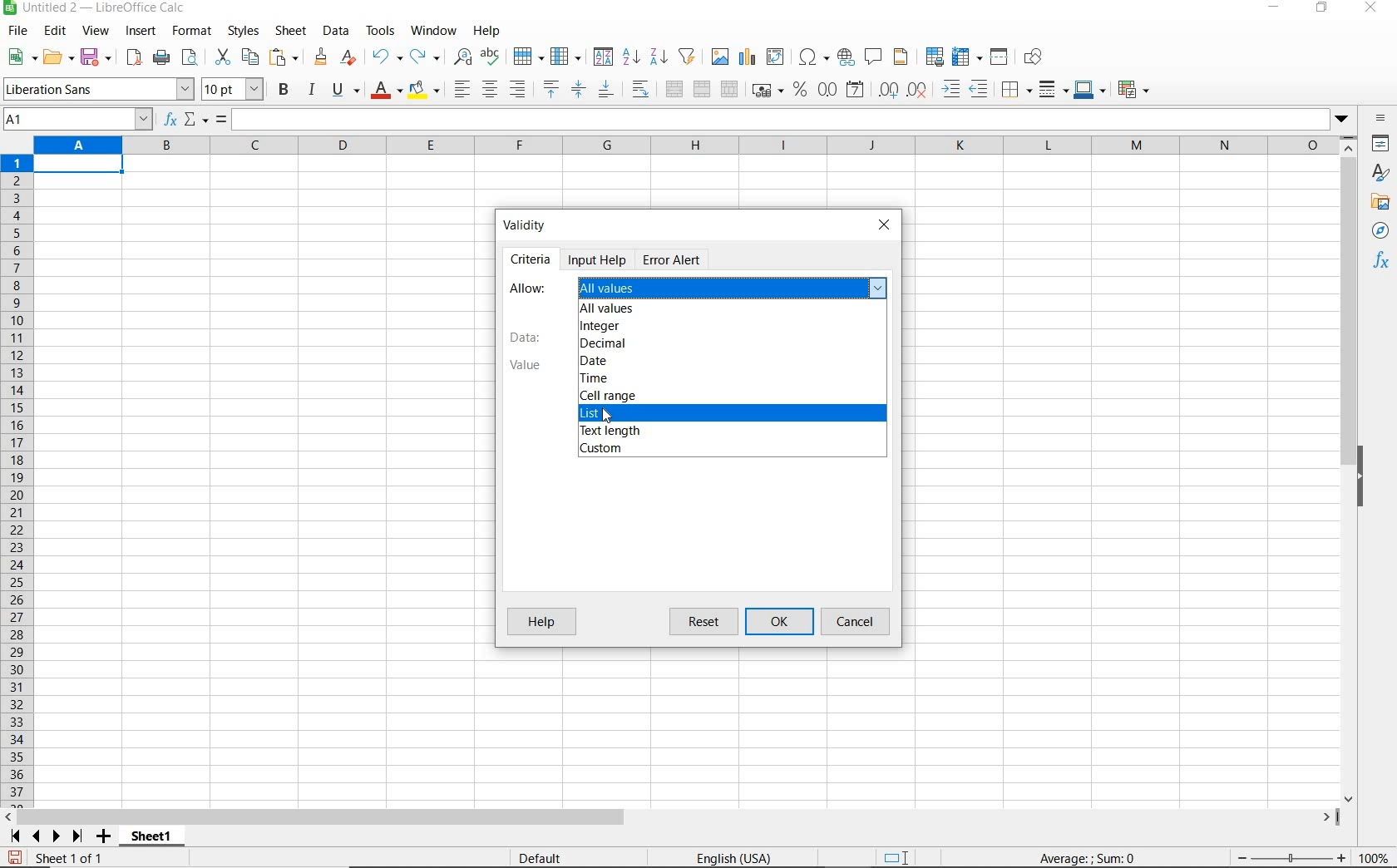 The height and width of the screenshot is (868, 1397). What do you see at coordinates (800, 90) in the screenshot?
I see `format as percent` at bounding box center [800, 90].